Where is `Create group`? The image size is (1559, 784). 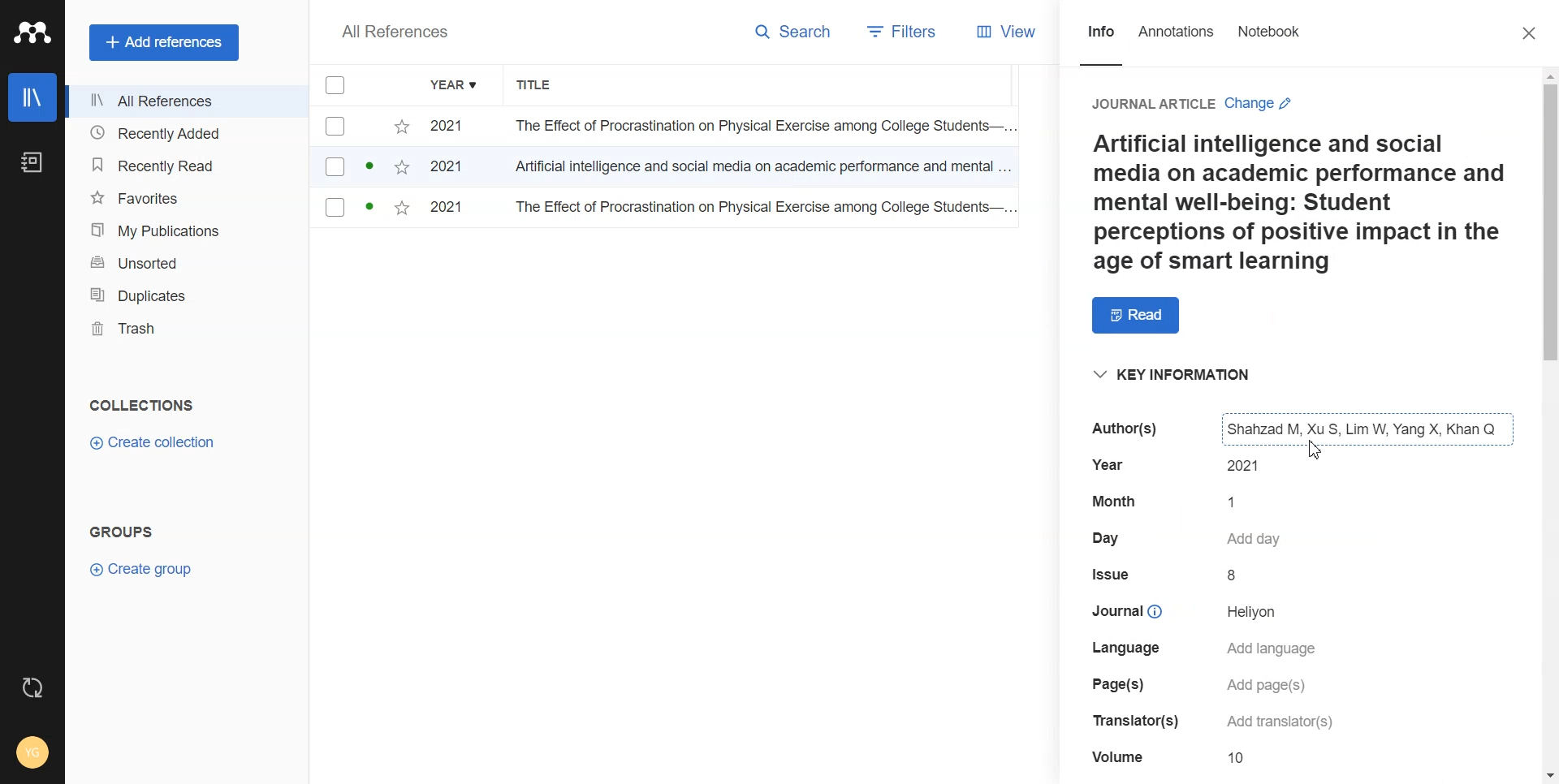 Create group is located at coordinates (140, 569).